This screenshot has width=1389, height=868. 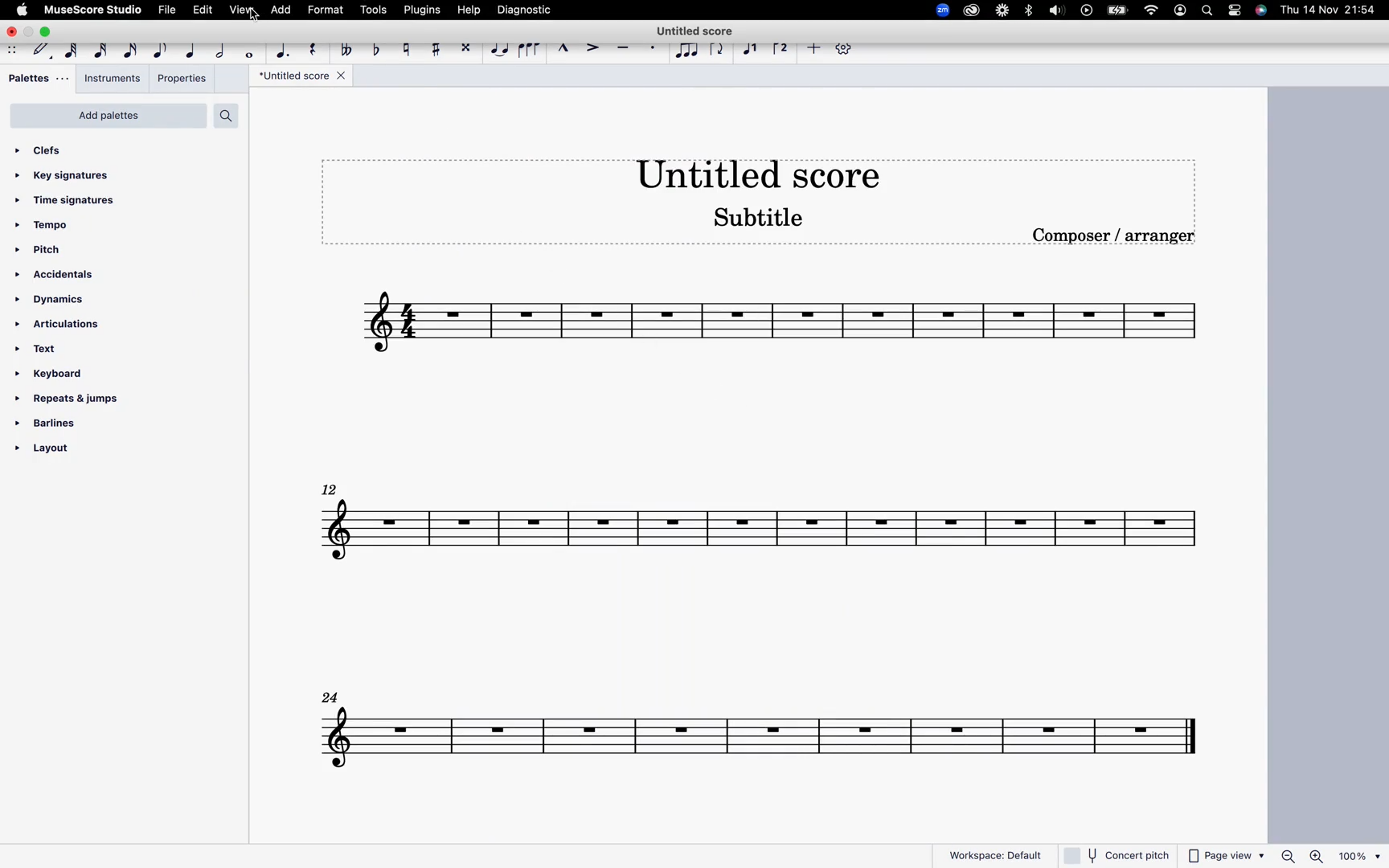 I want to click on zoom in, so click(x=1317, y=855).